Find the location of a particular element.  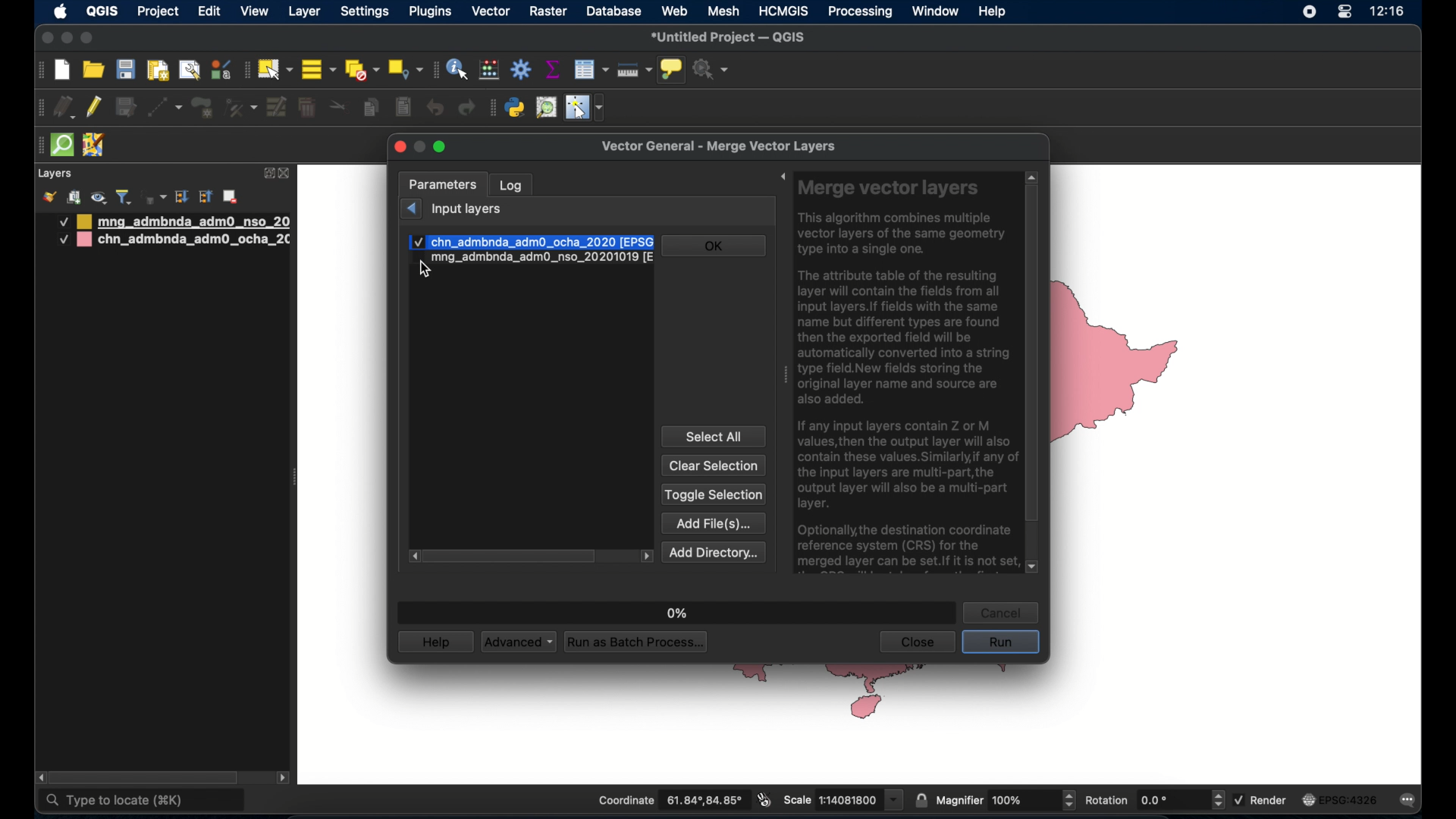

maximize is located at coordinates (443, 149).